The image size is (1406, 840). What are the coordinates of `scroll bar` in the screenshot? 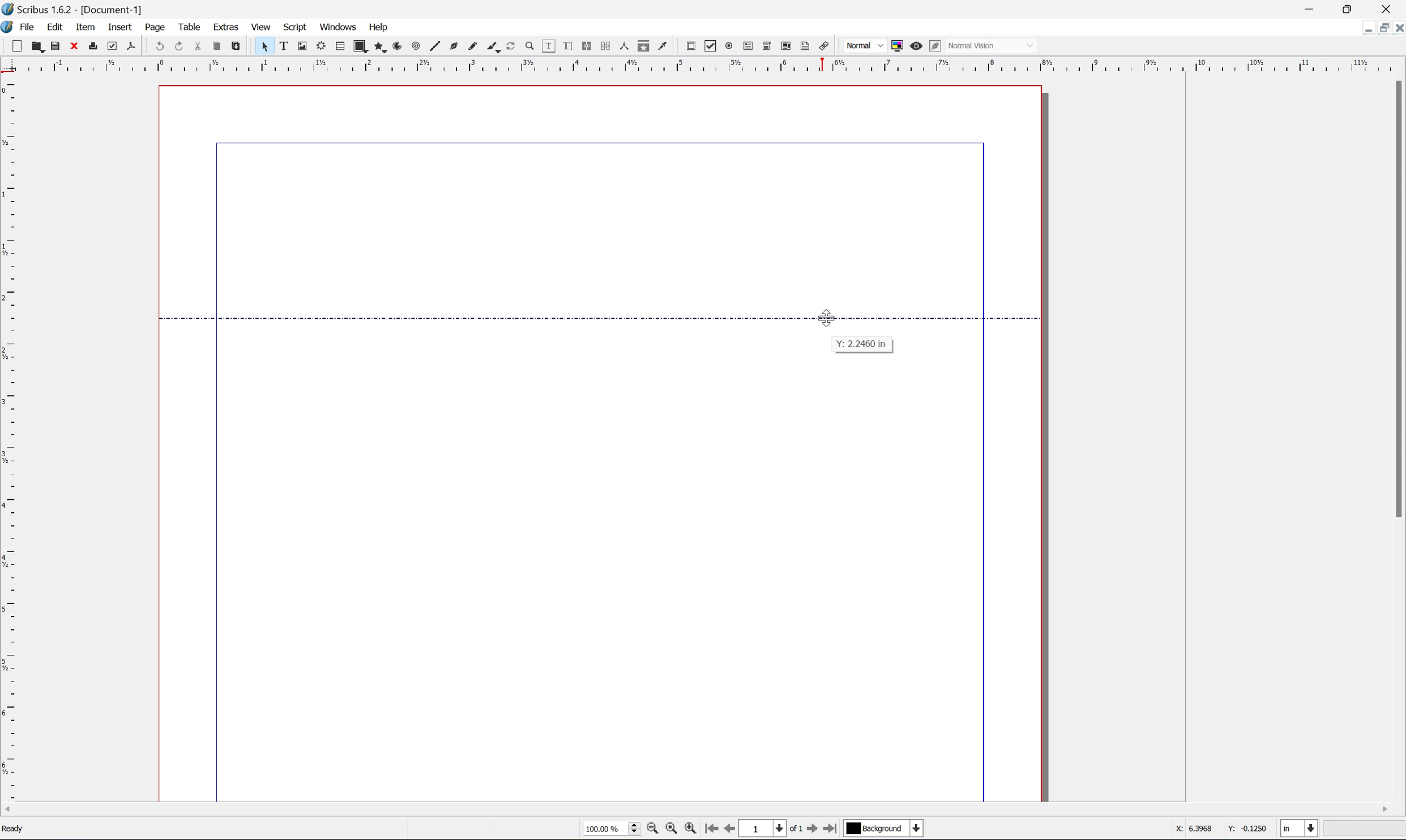 It's located at (695, 810).